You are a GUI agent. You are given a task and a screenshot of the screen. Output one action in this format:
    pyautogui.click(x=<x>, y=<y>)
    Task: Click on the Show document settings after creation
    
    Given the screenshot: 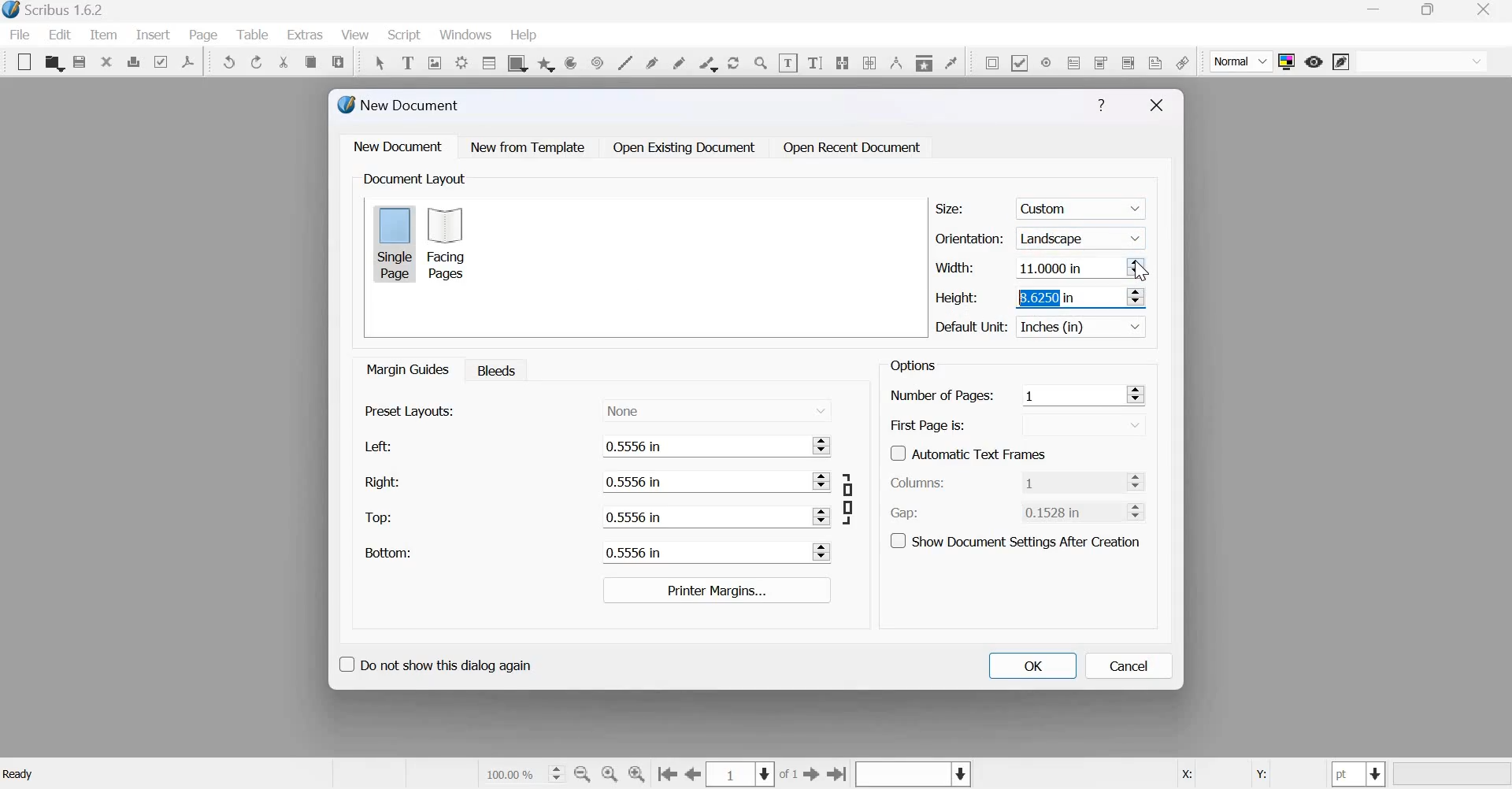 What is the action you would take?
    pyautogui.click(x=1015, y=539)
    